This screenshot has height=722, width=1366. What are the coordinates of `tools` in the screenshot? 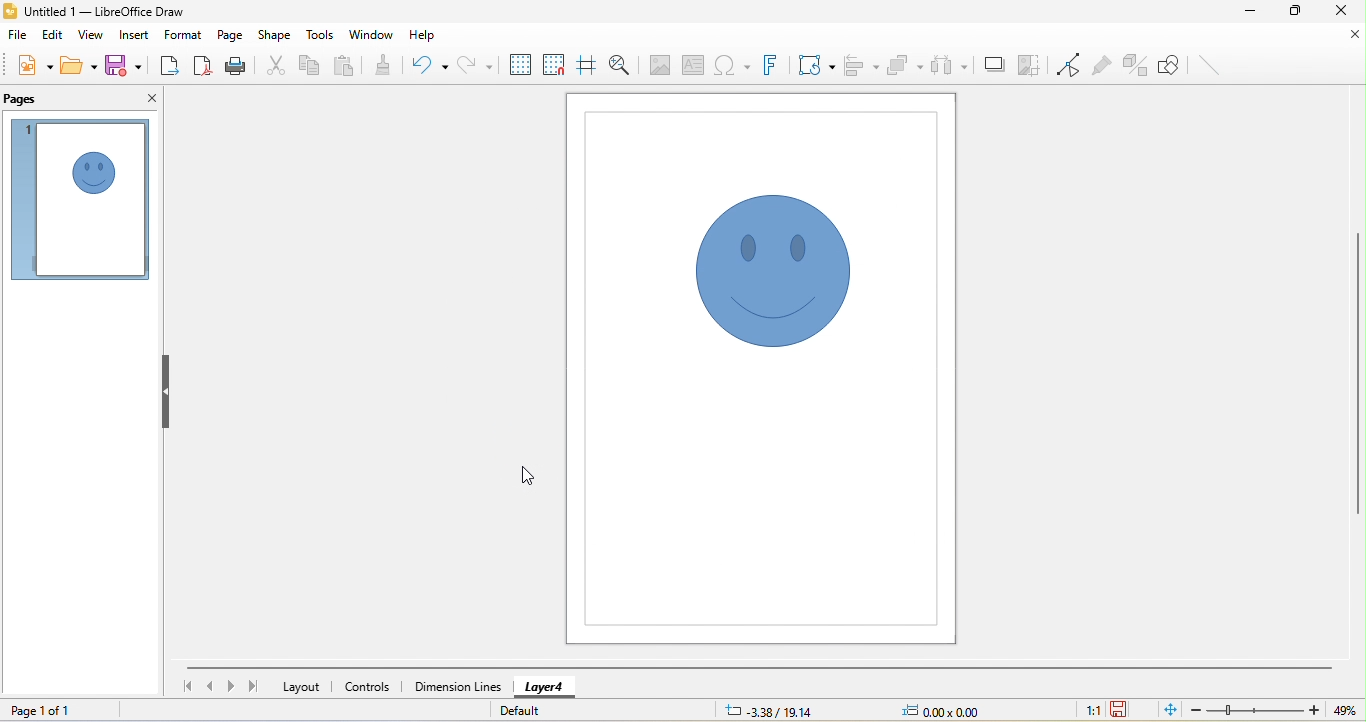 It's located at (322, 35).